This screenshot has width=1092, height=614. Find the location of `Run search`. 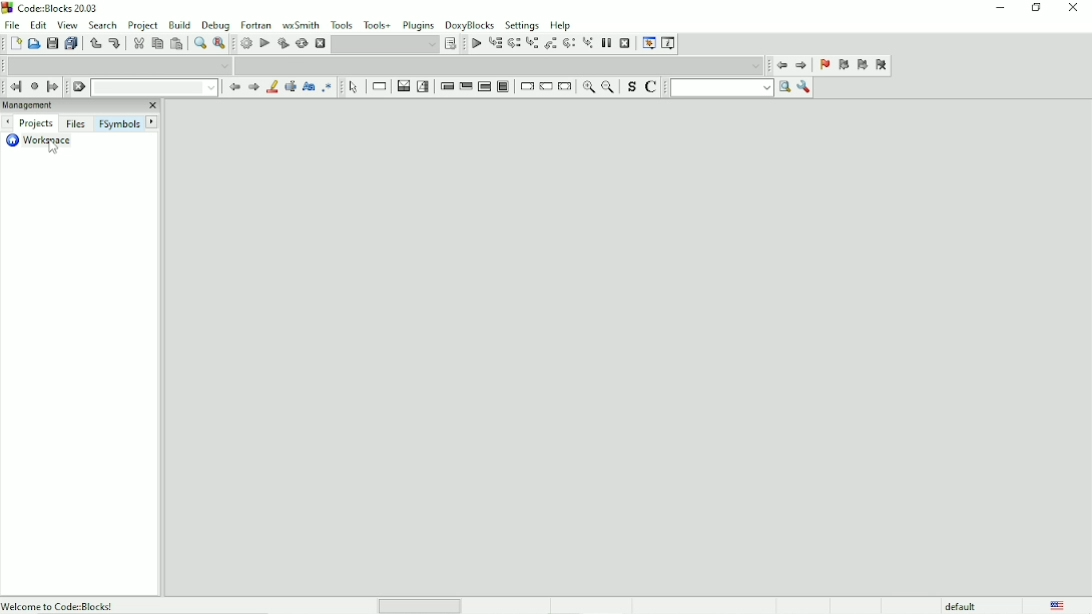

Run search is located at coordinates (730, 87).